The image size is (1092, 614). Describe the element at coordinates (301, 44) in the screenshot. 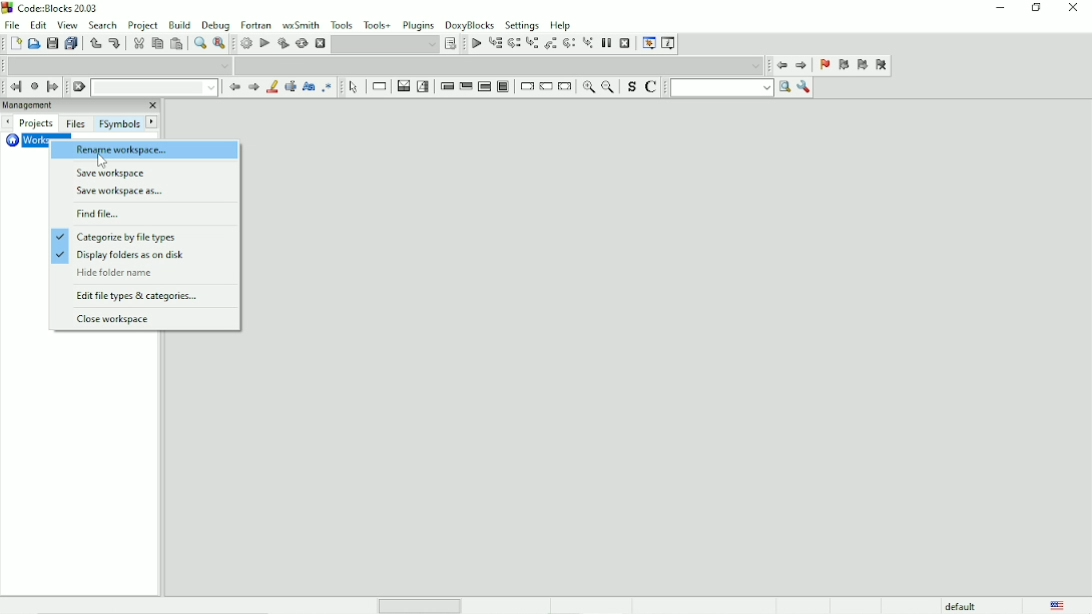

I see `Rebuild` at that location.